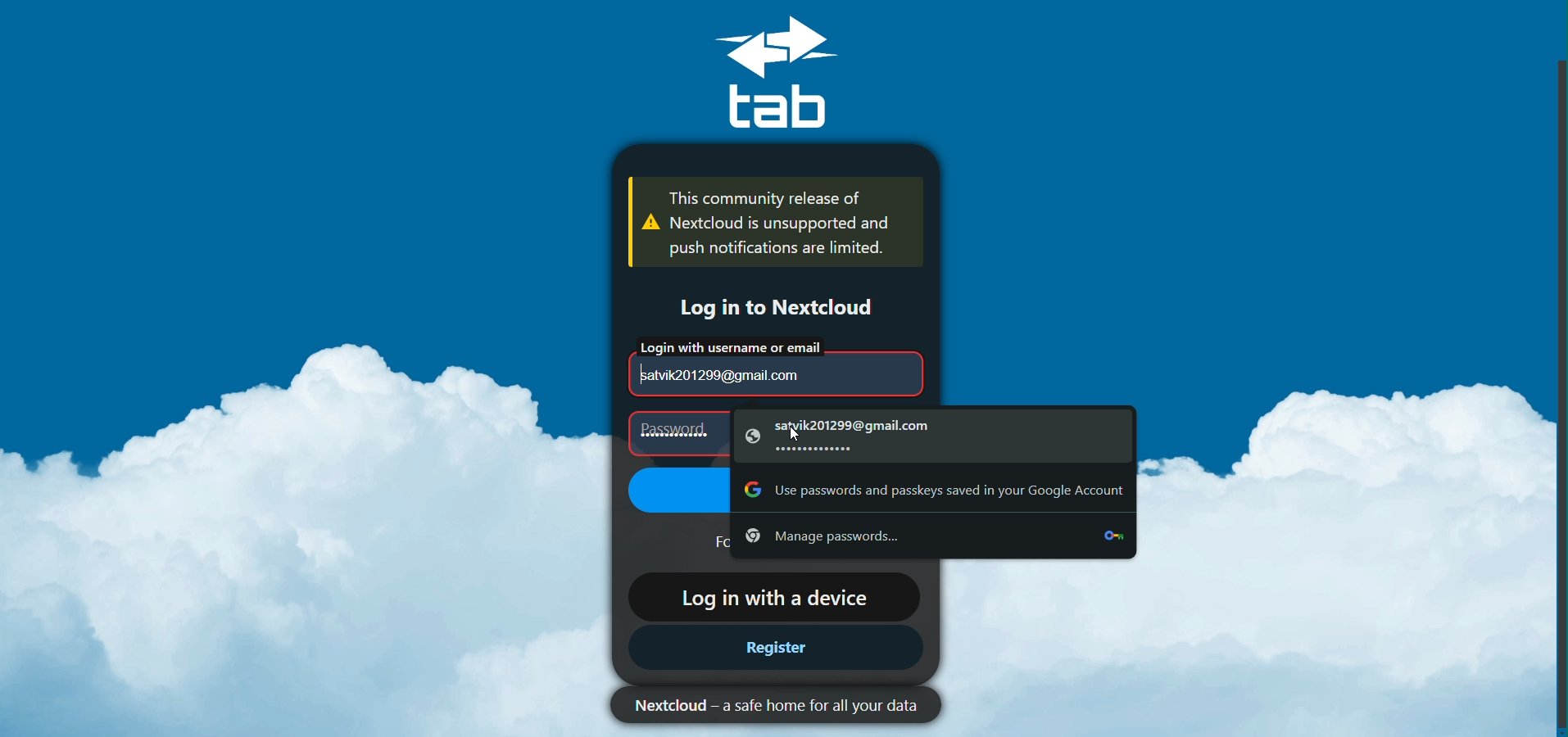  What do you see at coordinates (766, 365) in the screenshot?
I see `Login with username or email (satvik201299@gmail.com)` at bounding box center [766, 365].